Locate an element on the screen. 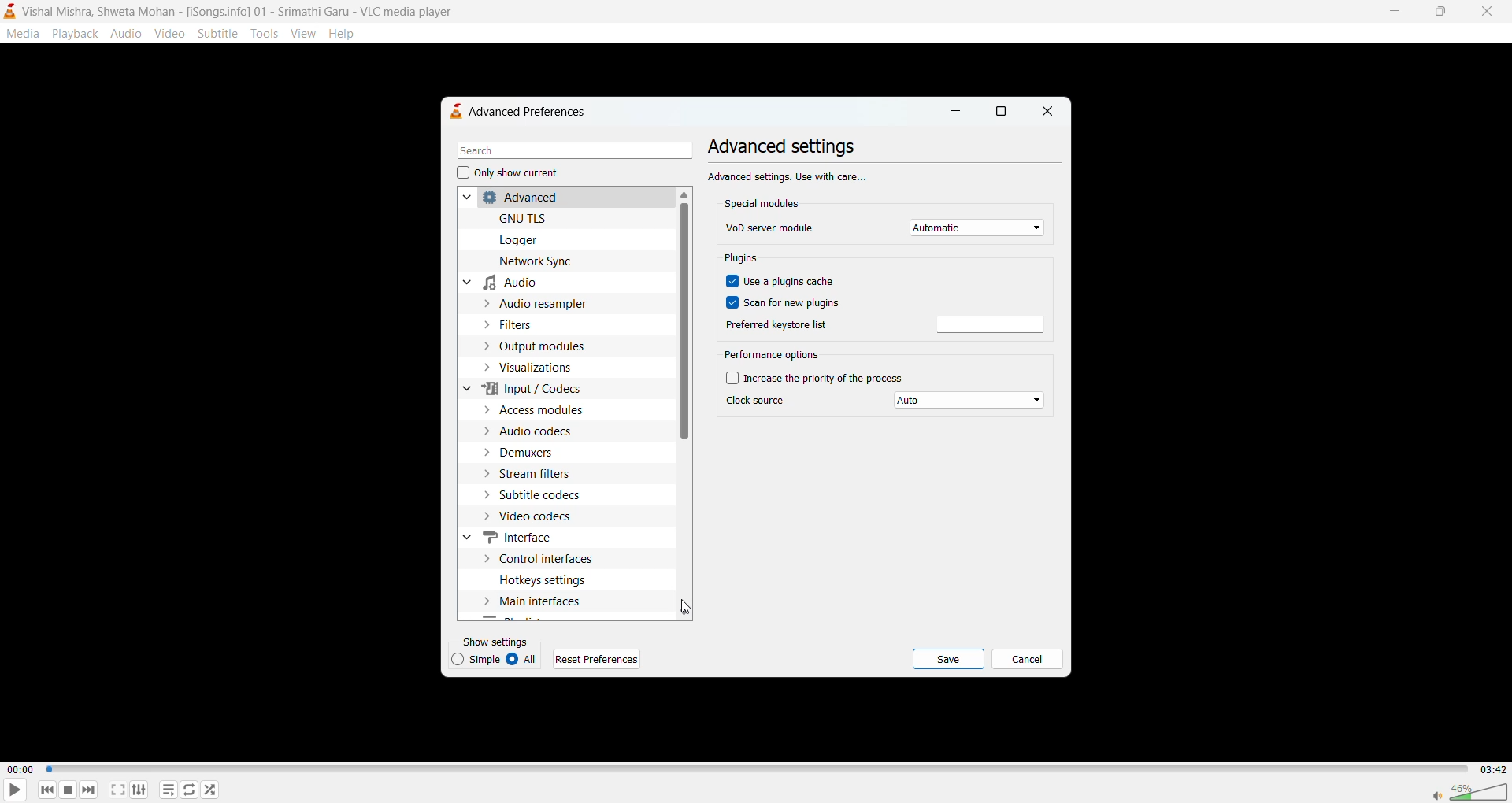 Image resolution: width=1512 pixels, height=803 pixels. loop is located at coordinates (187, 789).